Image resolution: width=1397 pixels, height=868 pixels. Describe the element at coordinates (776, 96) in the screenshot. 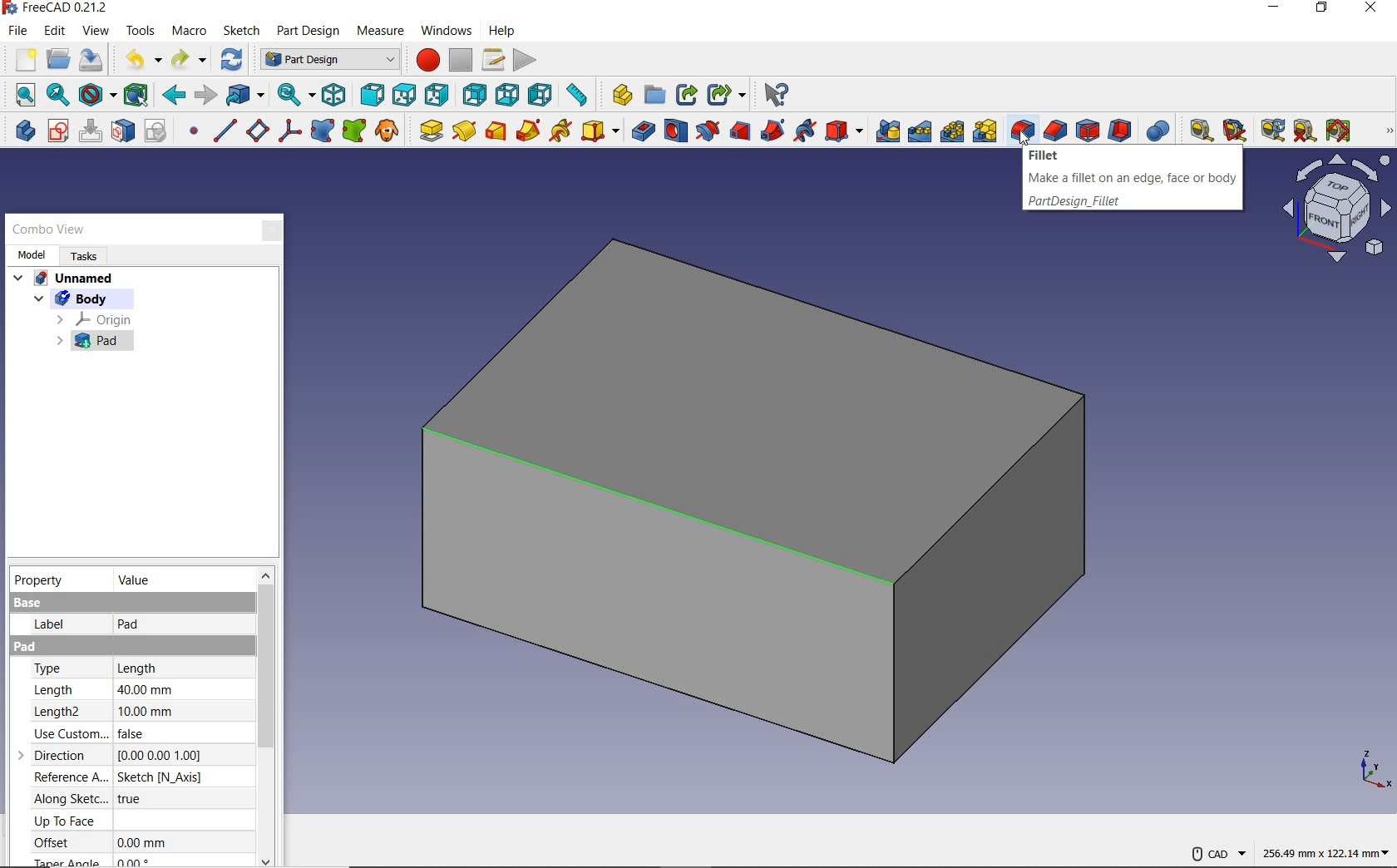

I see `what's this?` at that location.